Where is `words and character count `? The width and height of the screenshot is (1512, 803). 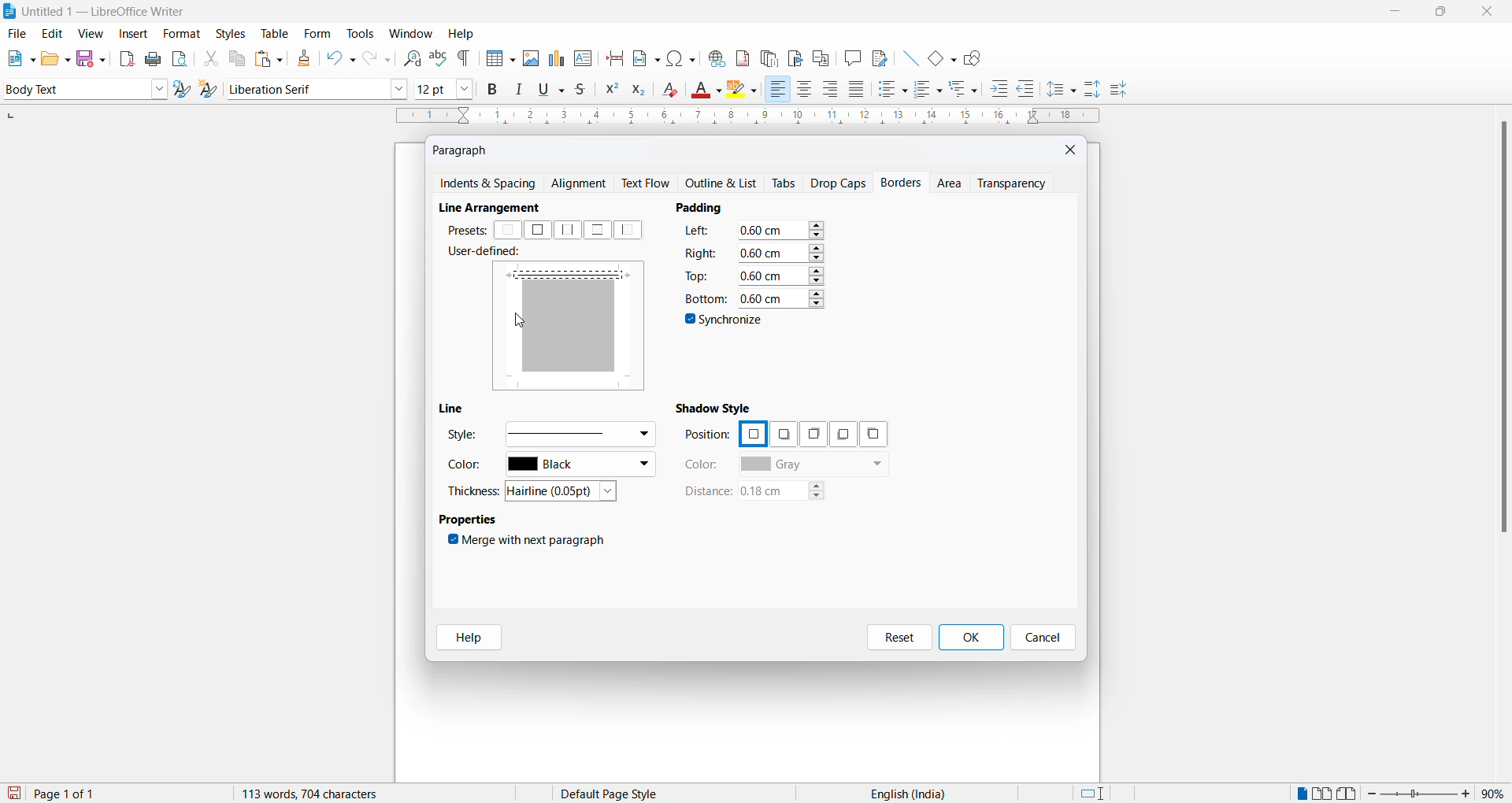 words and character count  is located at coordinates (325, 794).